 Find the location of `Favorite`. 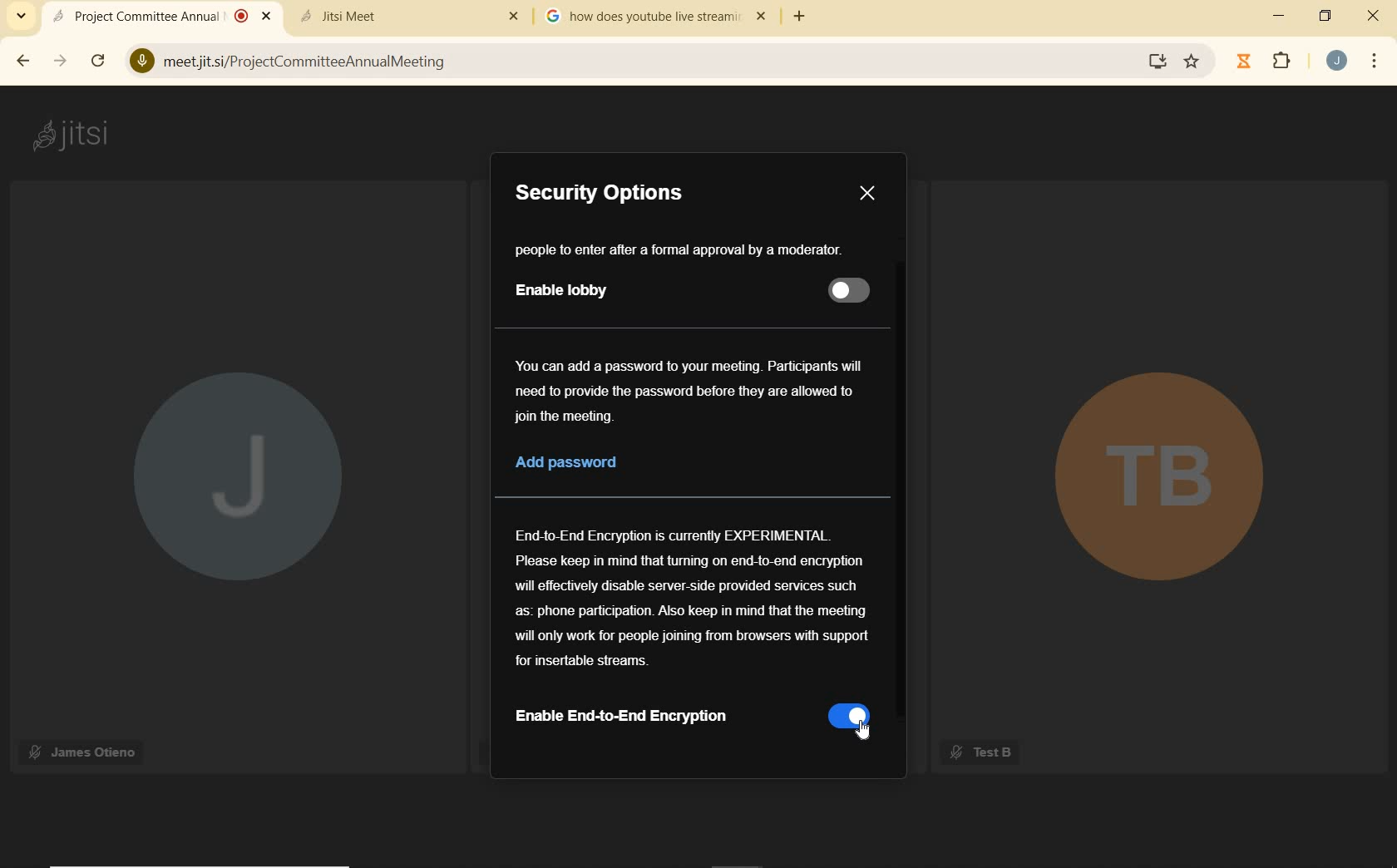

Favorite is located at coordinates (1192, 57).